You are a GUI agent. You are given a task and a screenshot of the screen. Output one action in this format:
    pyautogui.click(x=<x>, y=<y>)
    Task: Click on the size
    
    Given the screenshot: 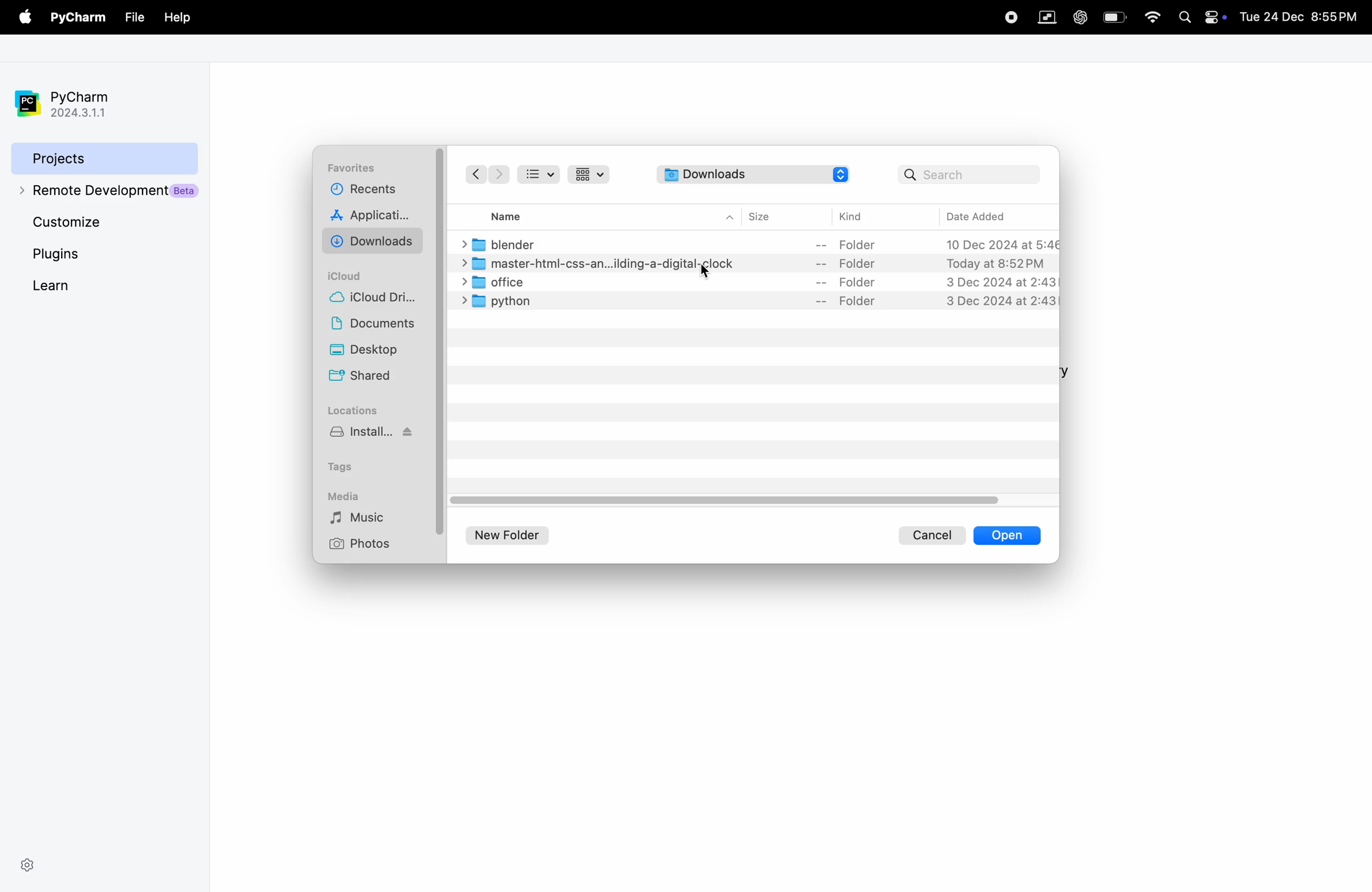 What is the action you would take?
    pyautogui.click(x=770, y=216)
    